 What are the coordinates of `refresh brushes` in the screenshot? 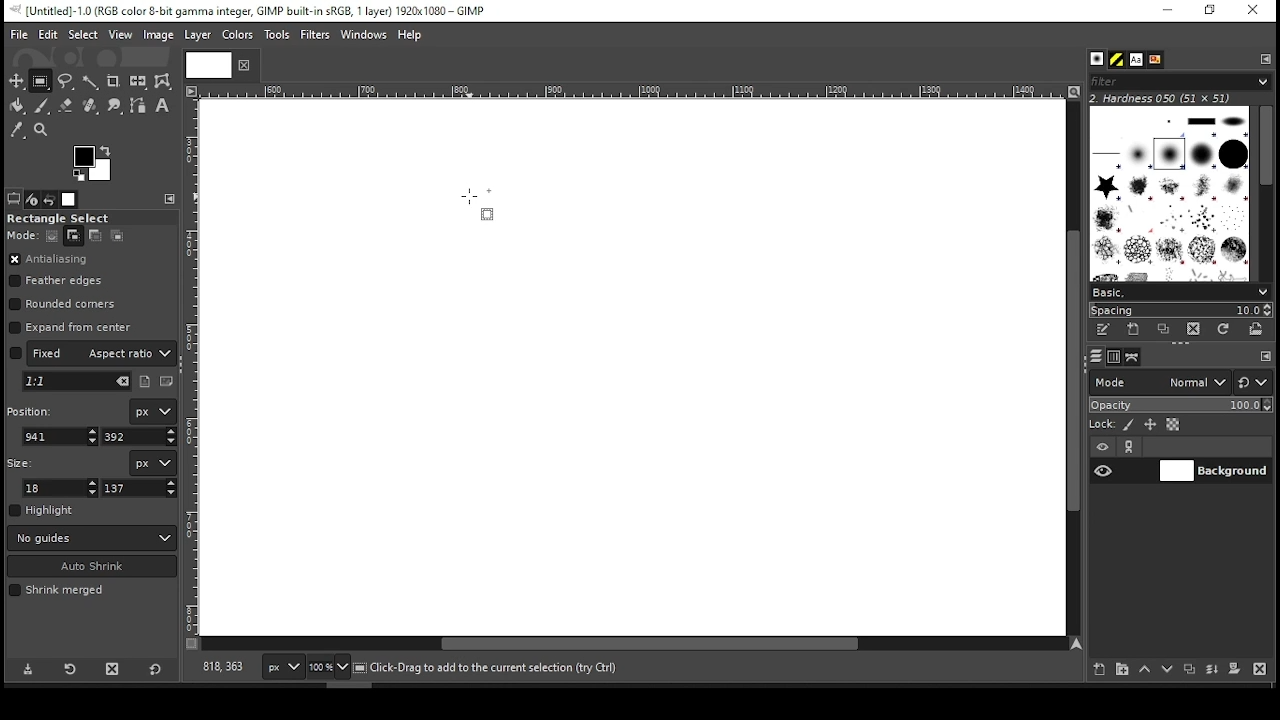 It's located at (1222, 331).